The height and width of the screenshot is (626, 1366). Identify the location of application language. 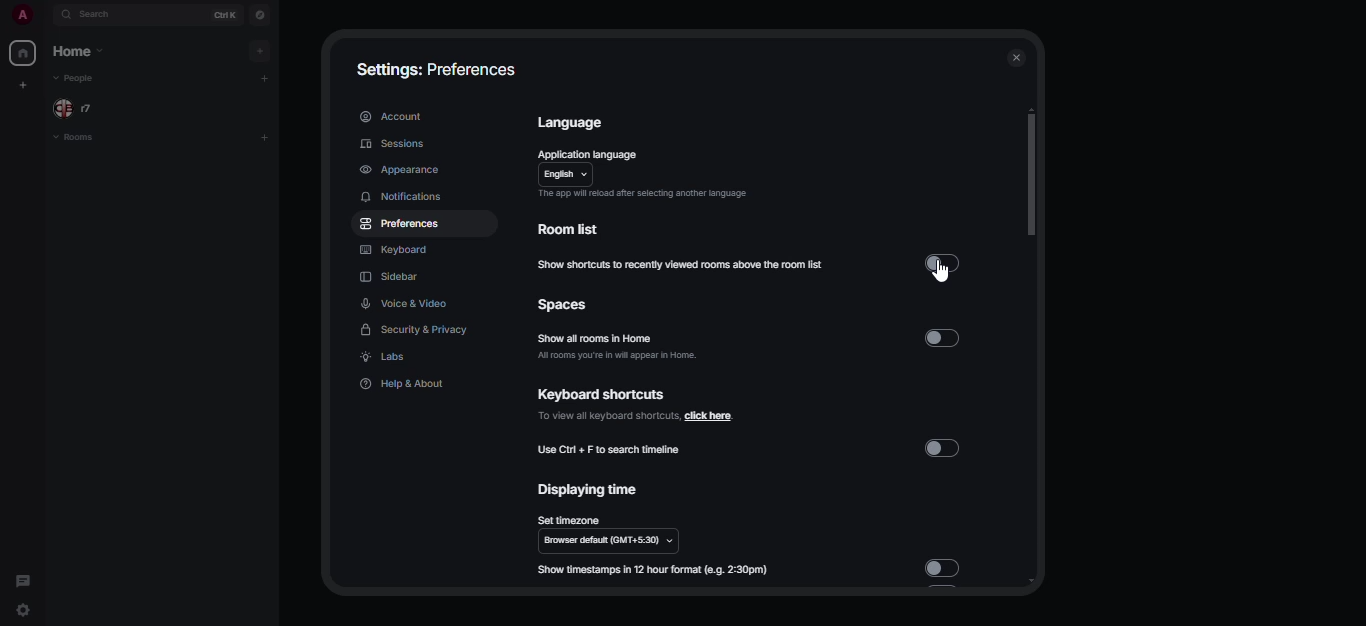
(594, 155).